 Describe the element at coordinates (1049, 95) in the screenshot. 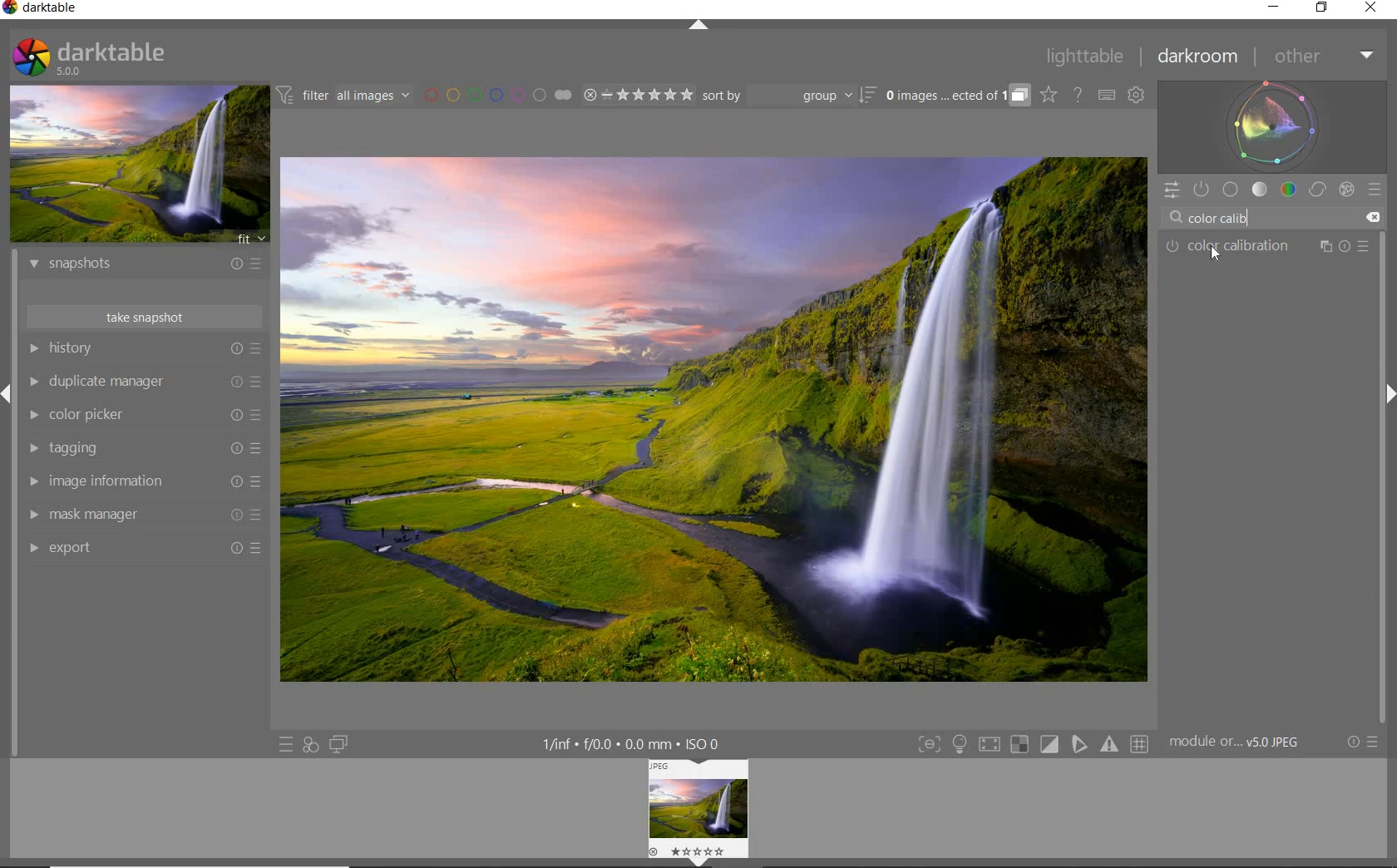

I see `CLICK TO CHANGE THE OVERLAYS SHOWN ON THUMBNAILS` at that location.